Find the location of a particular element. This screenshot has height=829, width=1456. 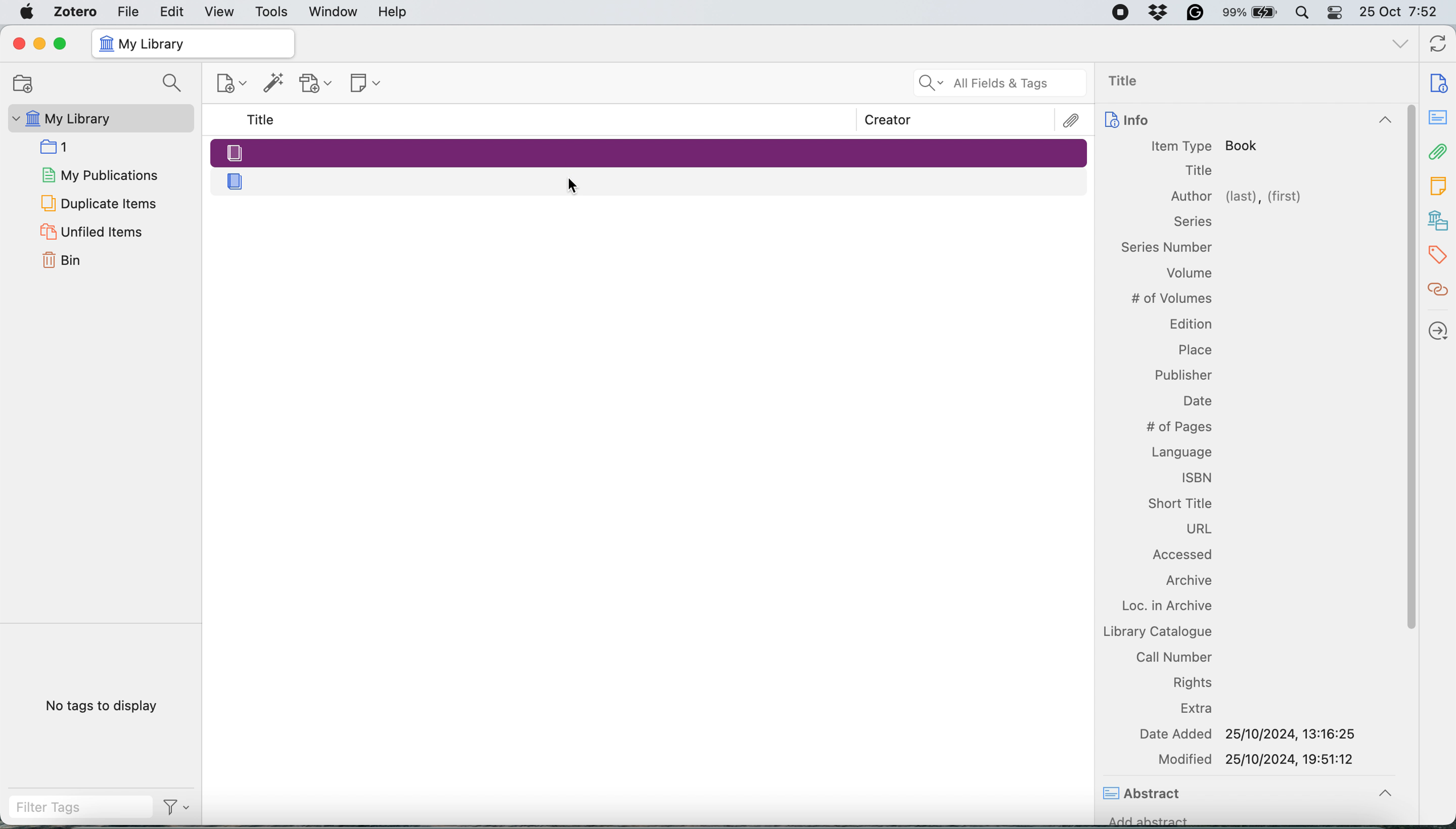

Tags is located at coordinates (1441, 255).